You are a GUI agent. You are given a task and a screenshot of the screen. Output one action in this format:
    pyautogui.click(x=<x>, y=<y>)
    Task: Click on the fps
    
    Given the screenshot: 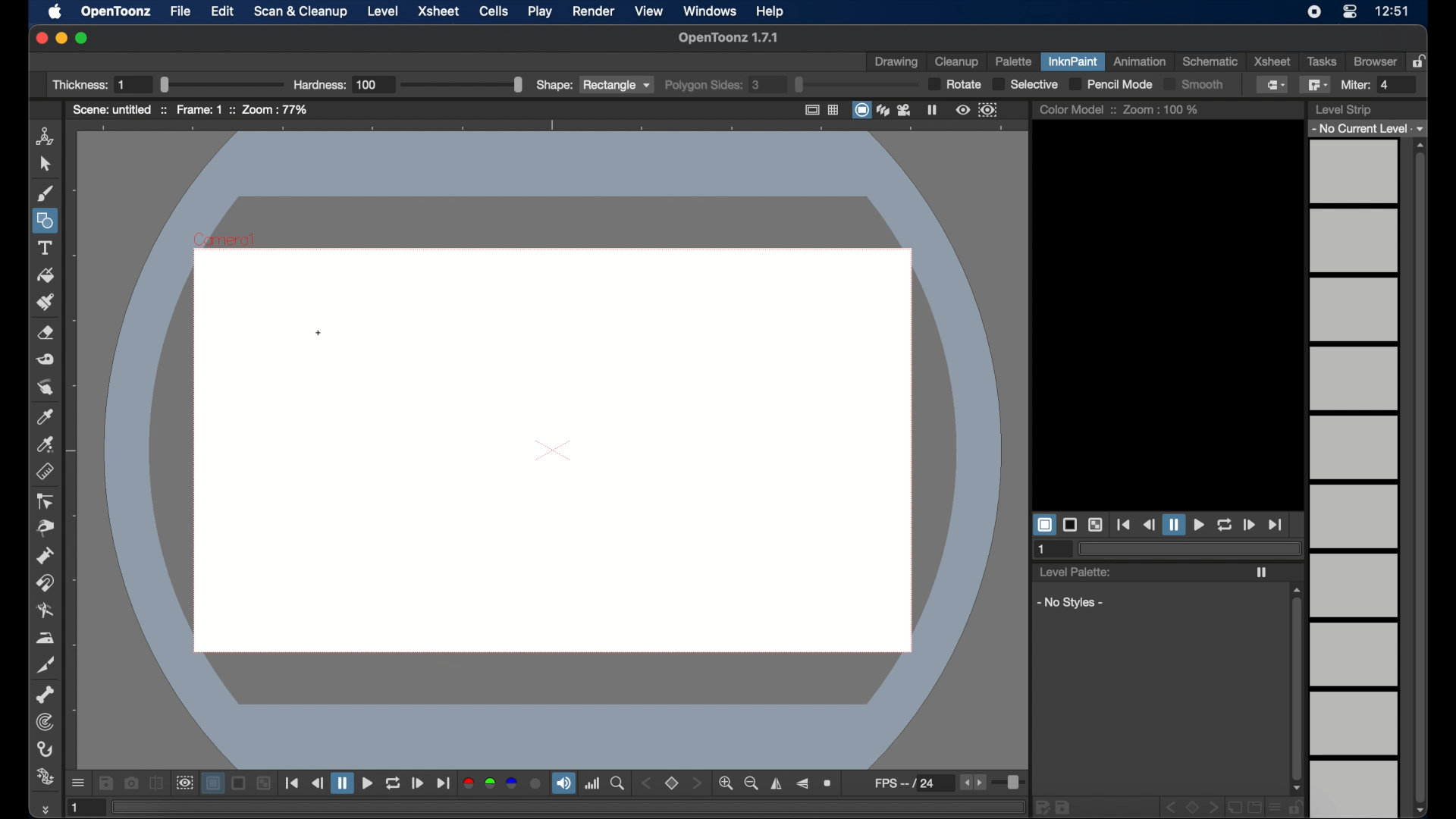 What is the action you would take?
    pyautogui.click(x=913, y=783)
    